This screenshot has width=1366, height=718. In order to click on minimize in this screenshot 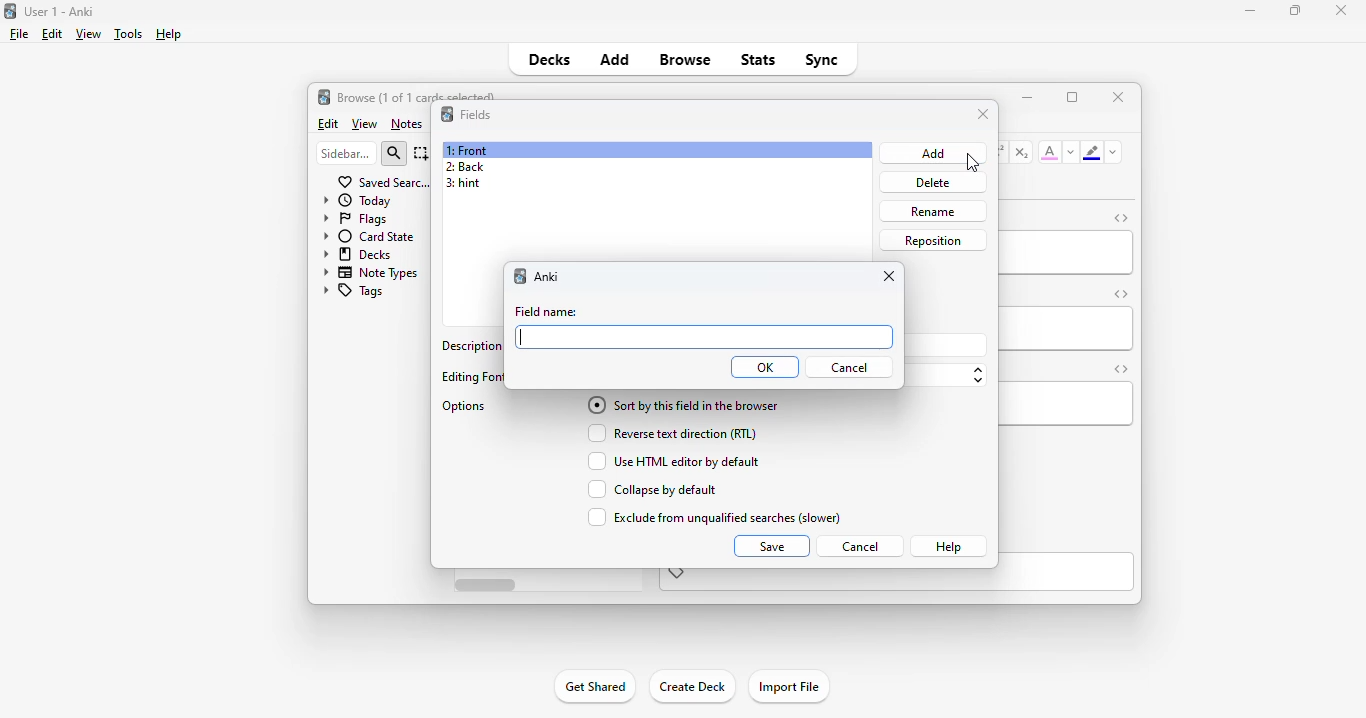, I will do `click(1251, 10)`.